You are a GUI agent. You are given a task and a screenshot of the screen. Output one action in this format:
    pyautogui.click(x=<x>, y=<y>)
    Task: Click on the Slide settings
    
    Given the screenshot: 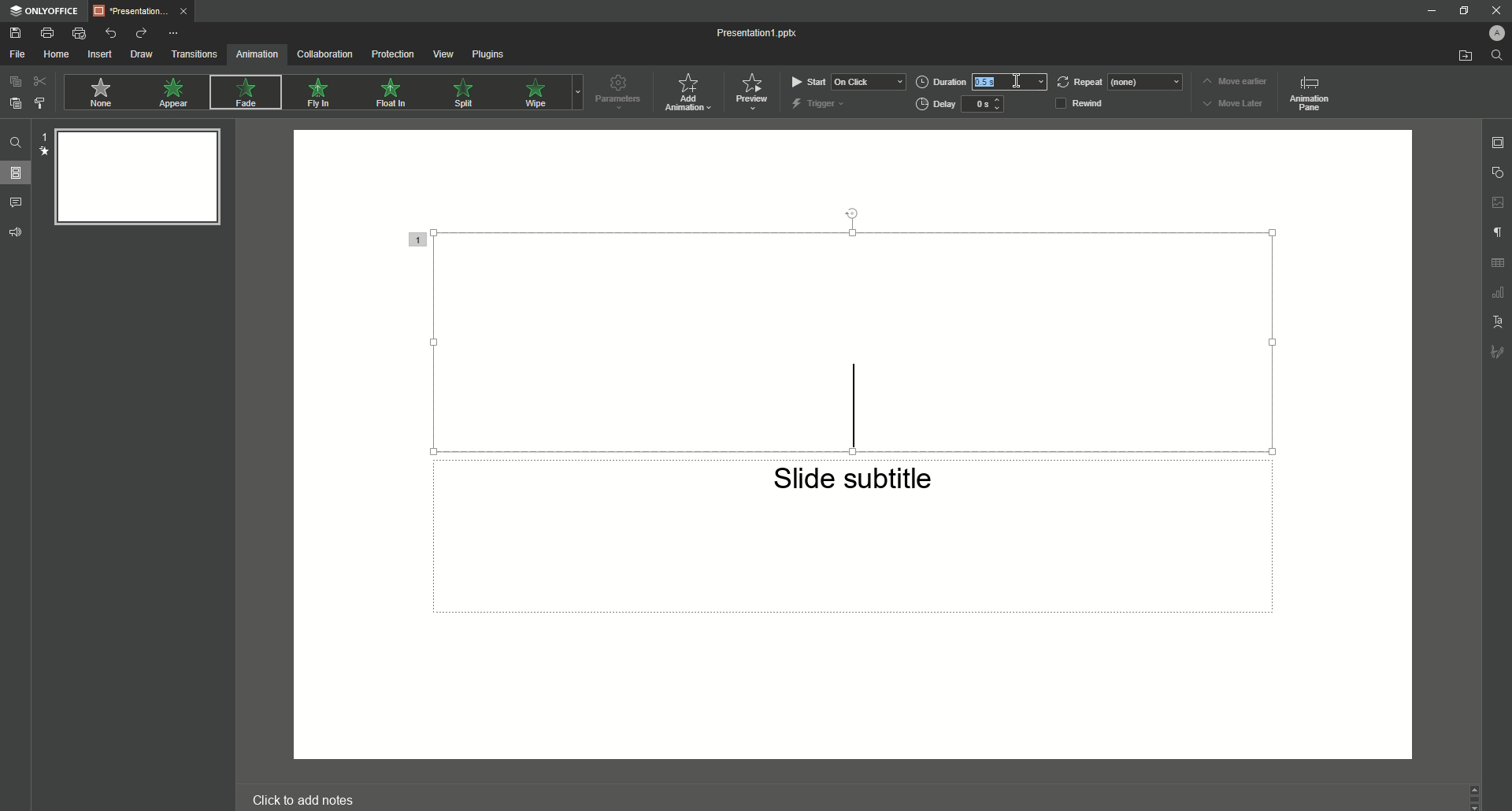 What is the action you would take?
    pyautogui.click(x=1497, y=142)
    